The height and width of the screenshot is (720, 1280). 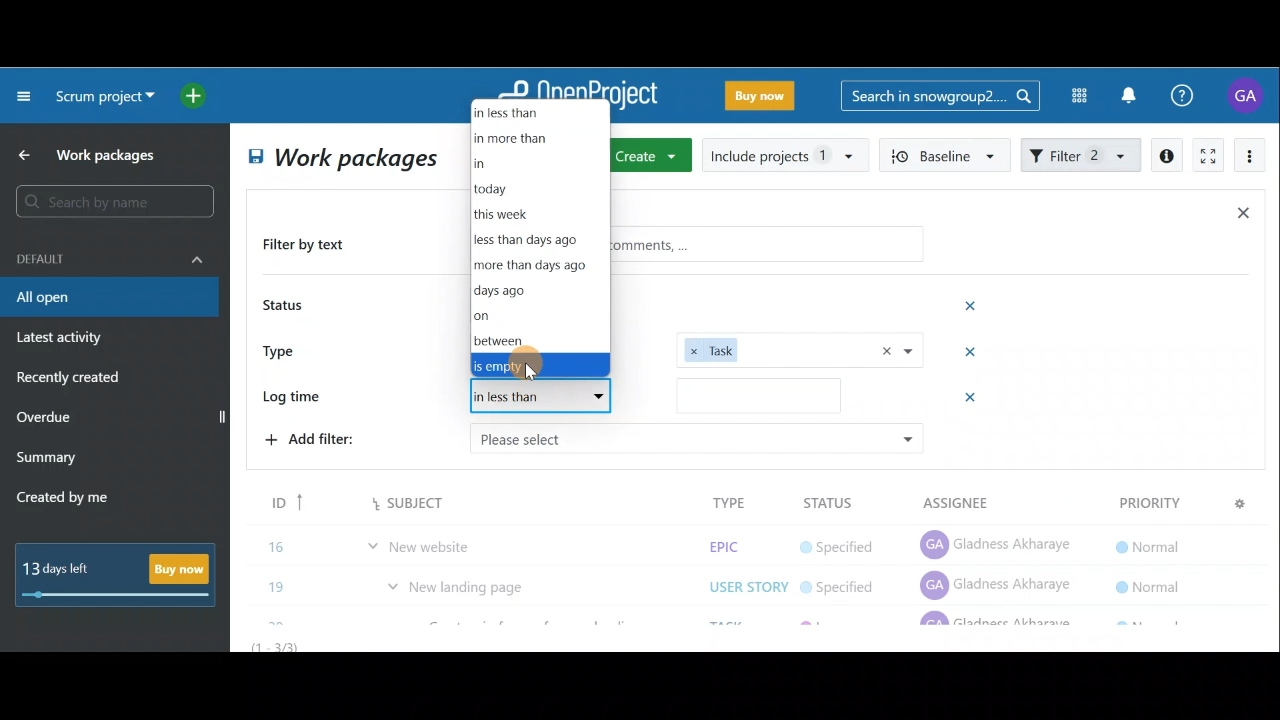 What do you see at coordinates (108, 298) in the screenshot?
I see `All open` at bounding box center [108, 298].